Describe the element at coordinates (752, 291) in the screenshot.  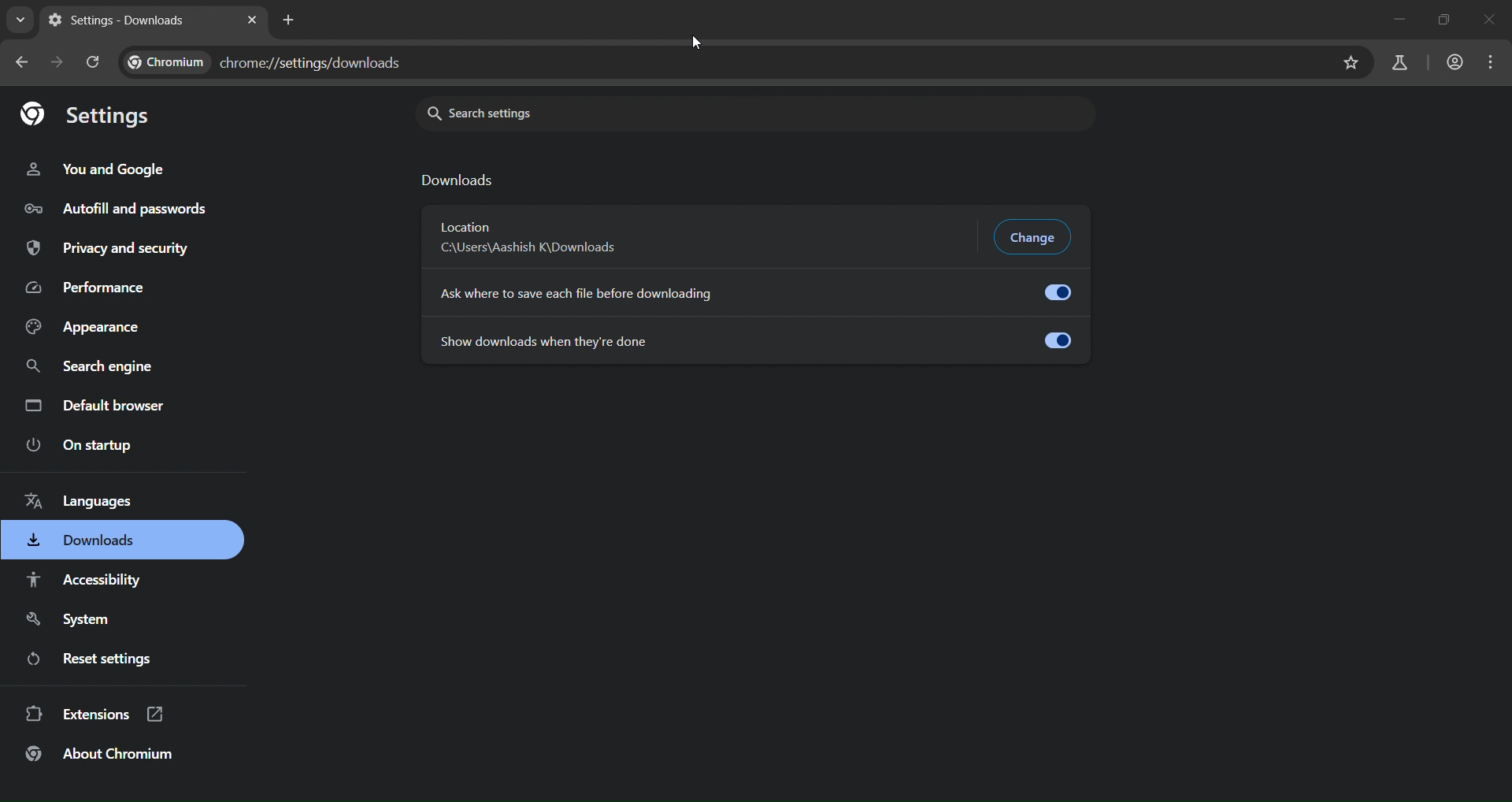
I see `ash where to save each file before downloading` at that location.